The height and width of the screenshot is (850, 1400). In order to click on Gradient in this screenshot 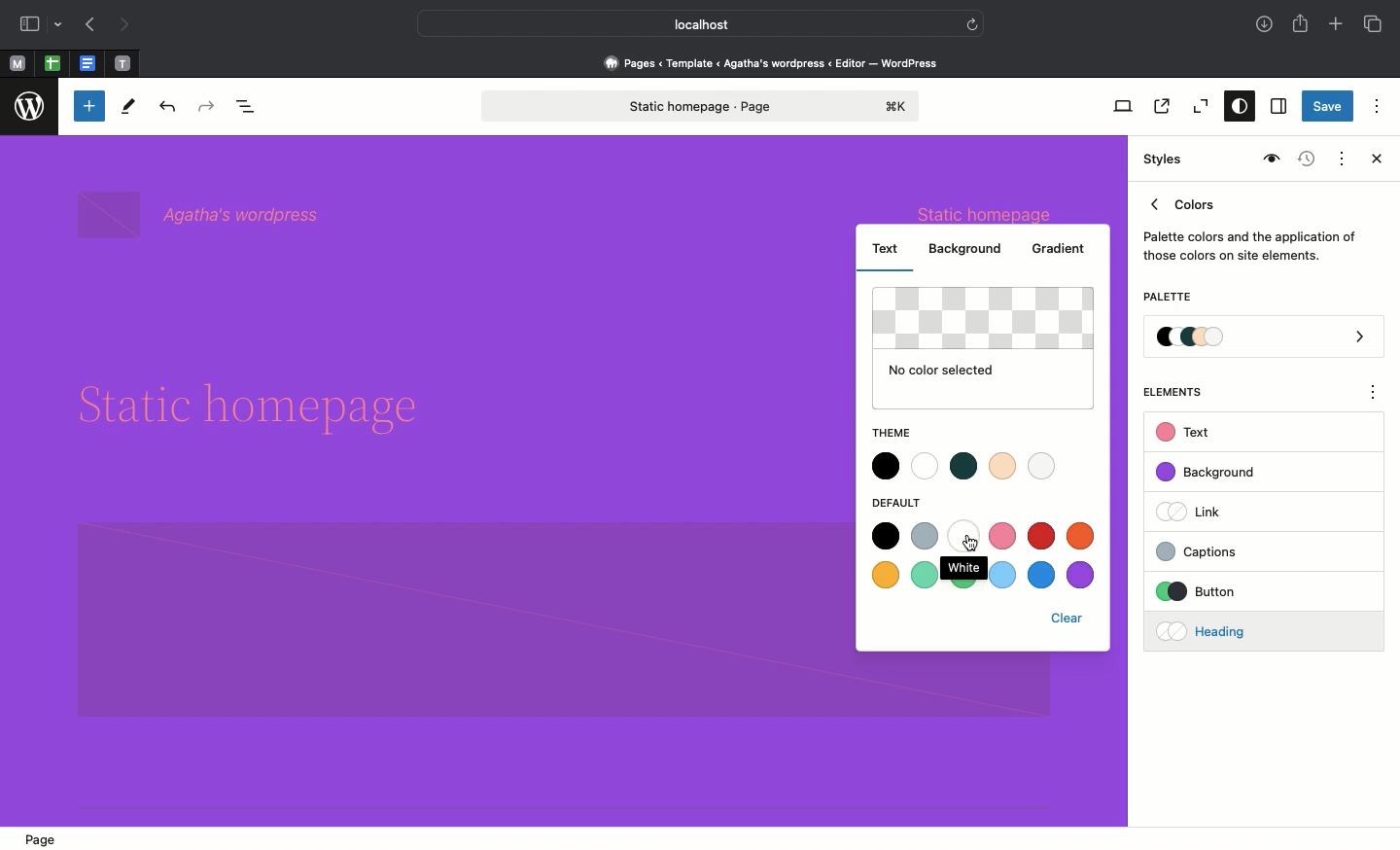, I will do `click(1058, 250)`.